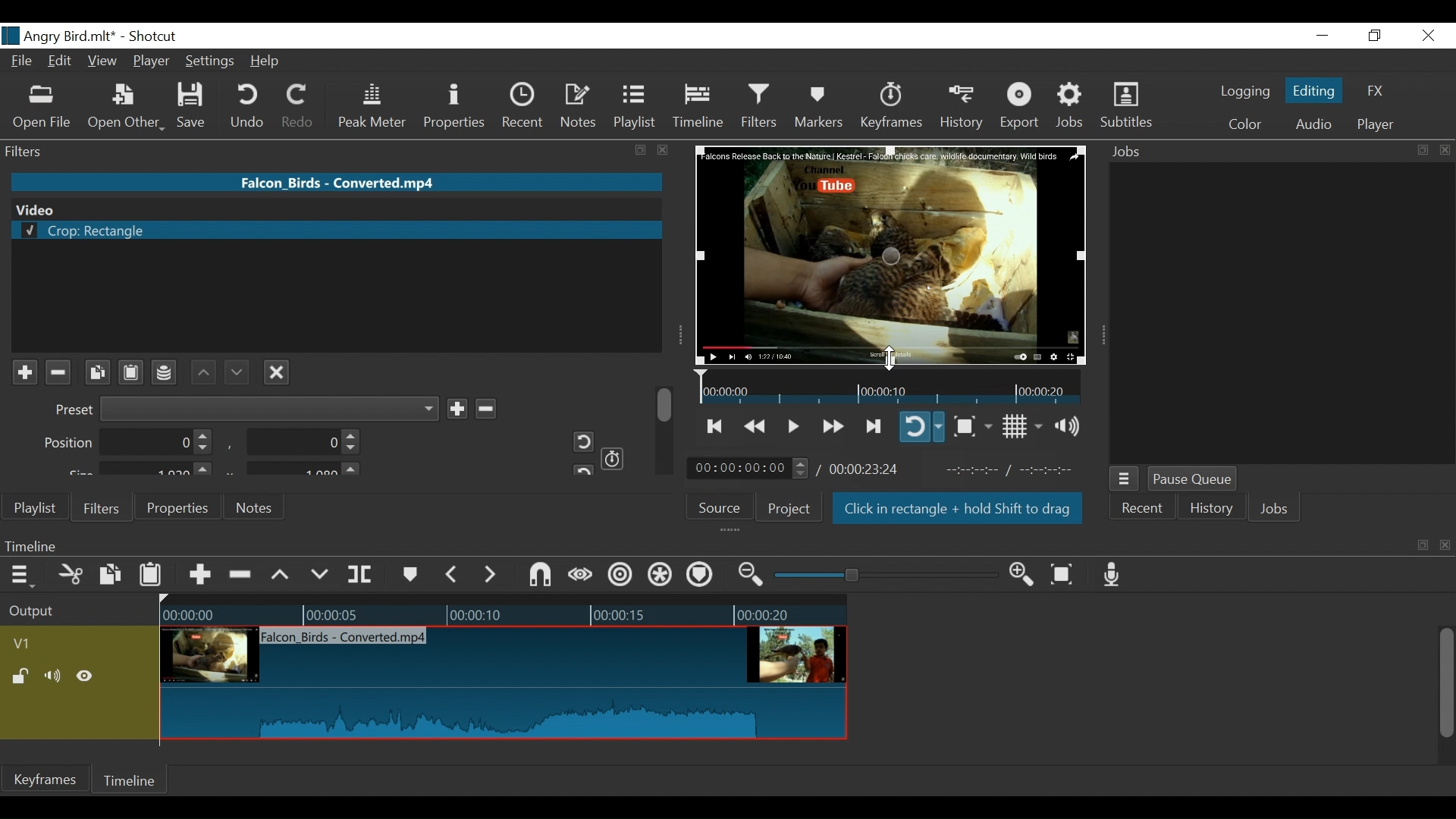  Describe the element at coordinates (71, 576) in the screenshot. I see `Cut` at that location.